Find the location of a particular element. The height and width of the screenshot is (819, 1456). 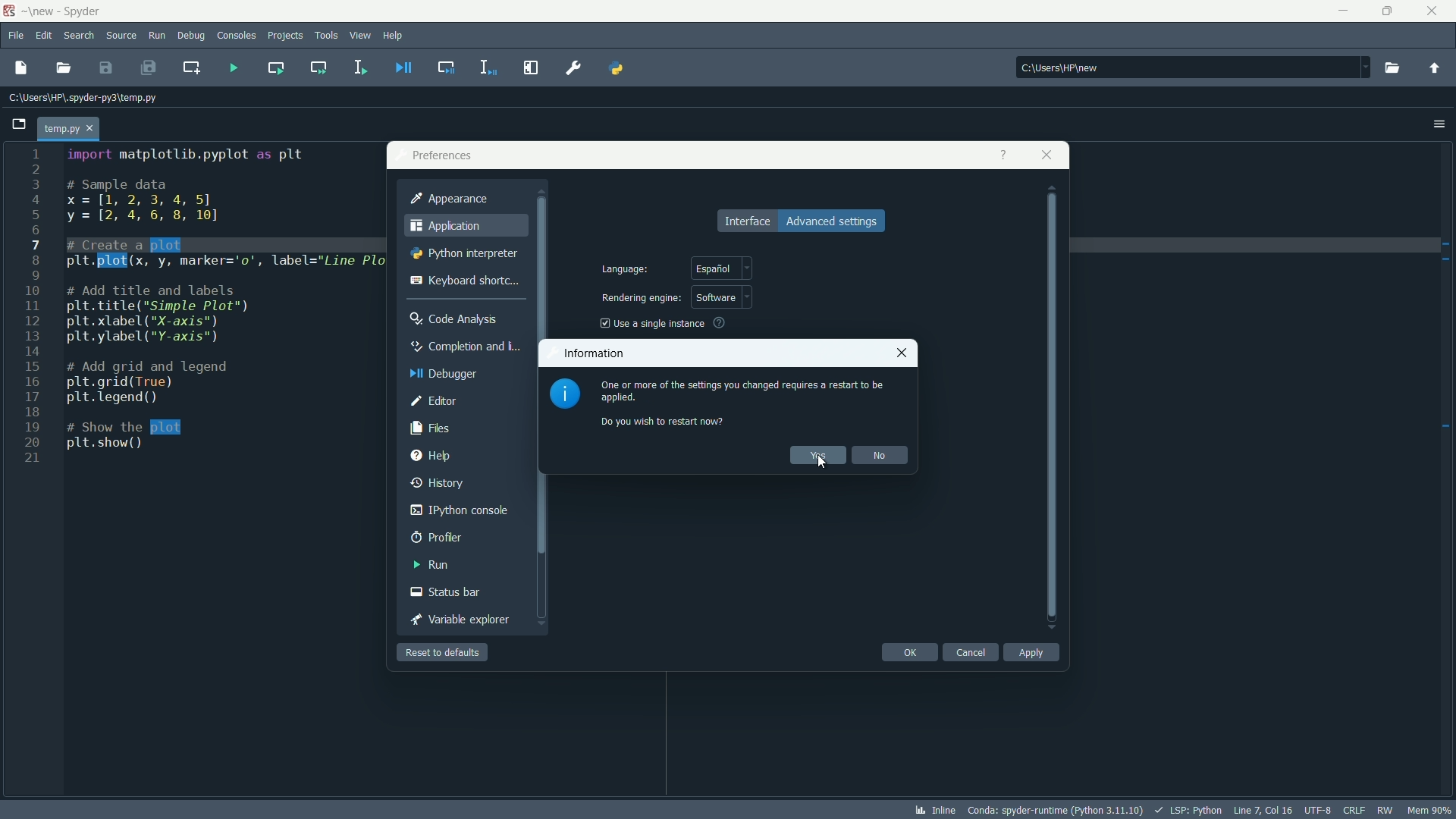

use a single instance is located at coordinates (661, 323).